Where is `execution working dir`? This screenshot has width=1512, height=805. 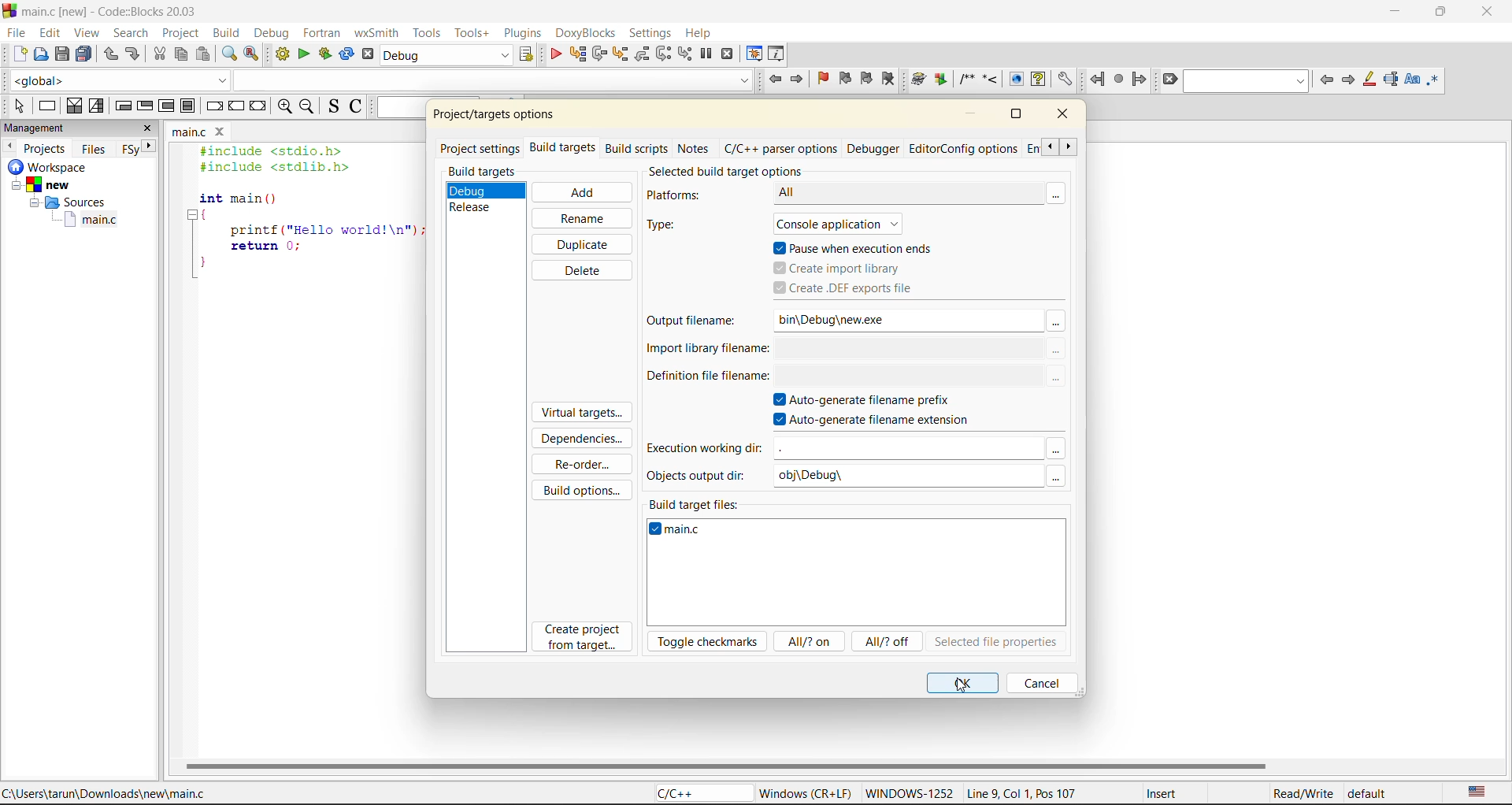 execution working dir is located at coordinates (704, 450).